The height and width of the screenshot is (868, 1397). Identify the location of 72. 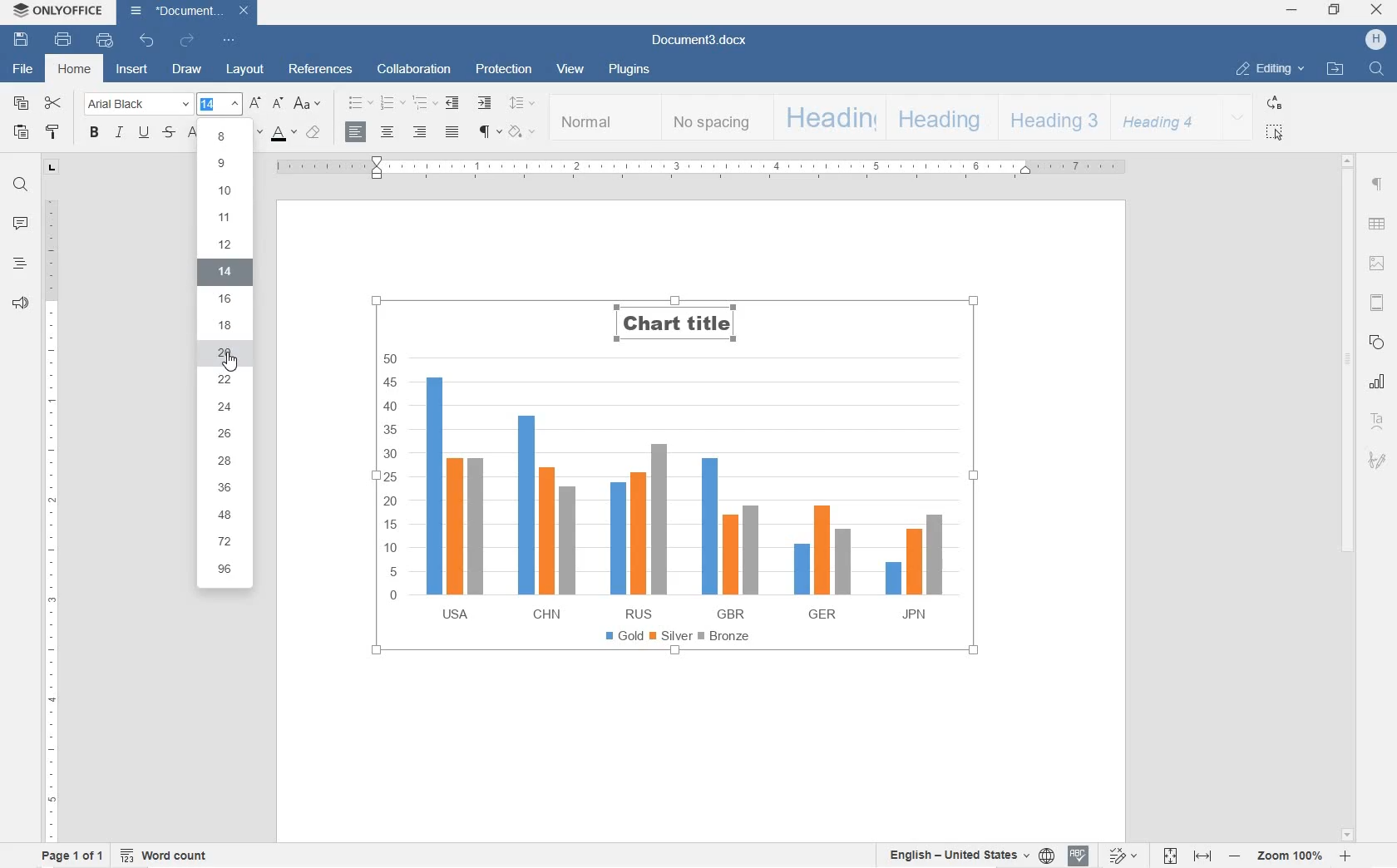
(224, 543).